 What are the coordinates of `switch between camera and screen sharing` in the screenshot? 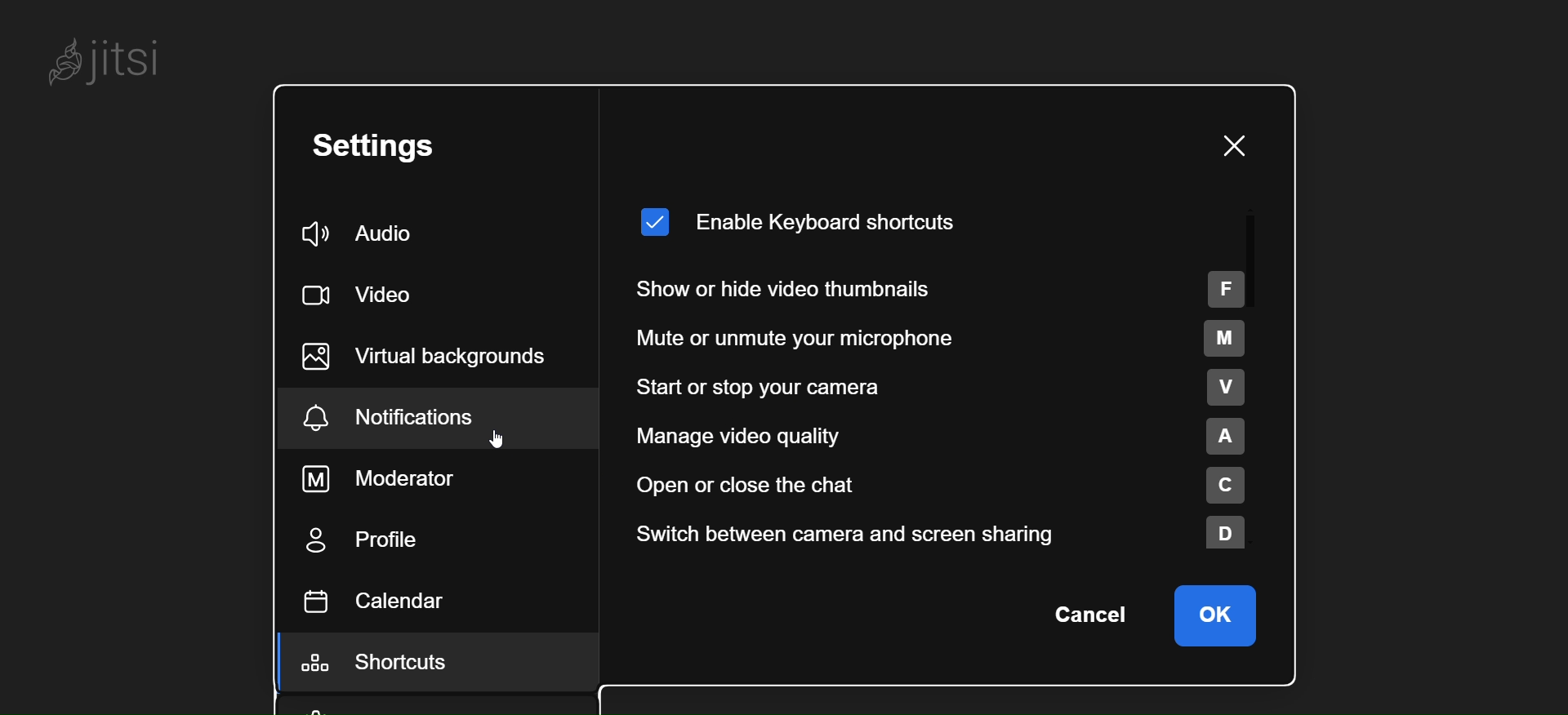 It's located at (940, 533).